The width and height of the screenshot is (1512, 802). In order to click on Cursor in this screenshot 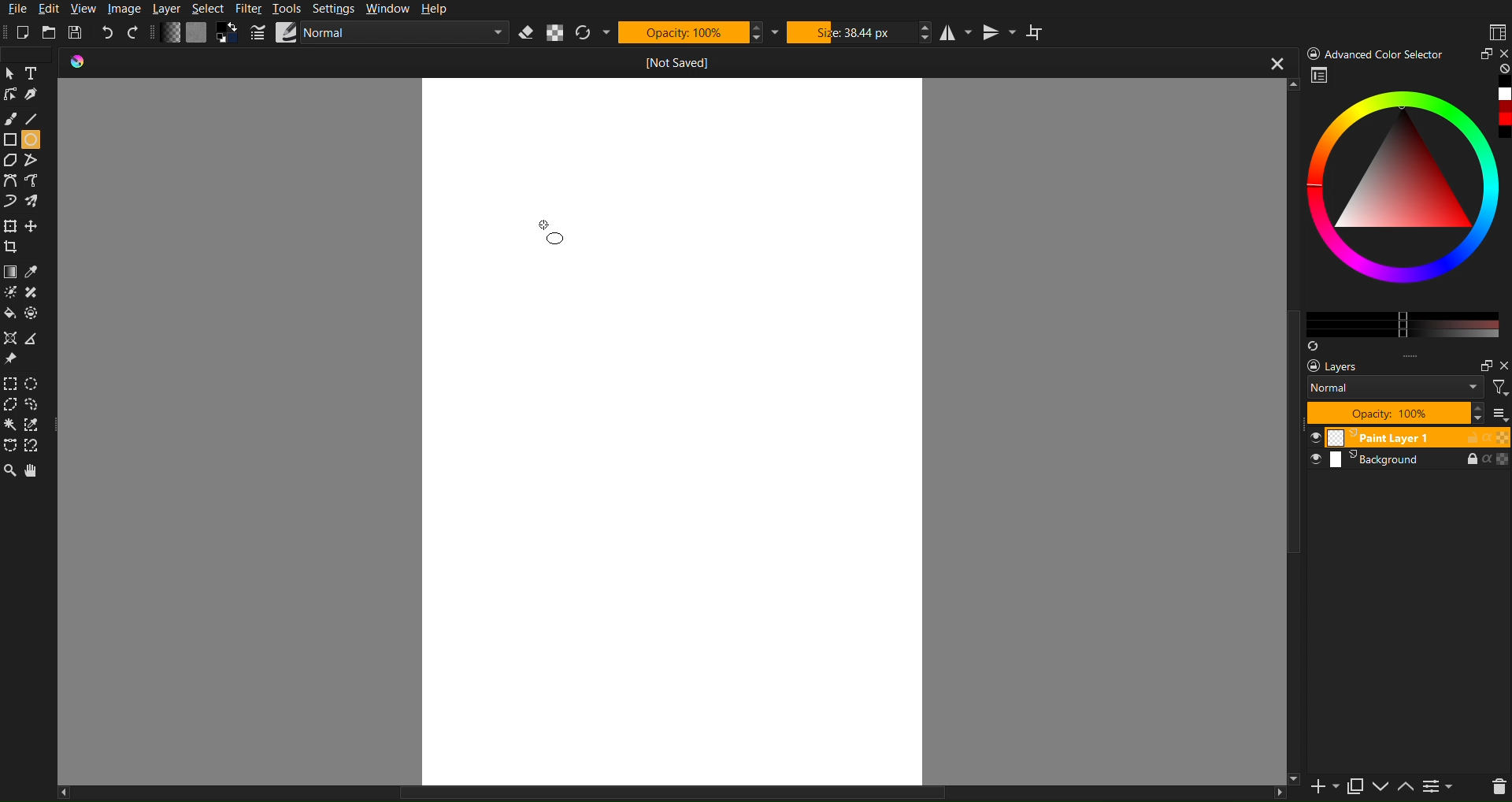, I will do `click(9, 75)`.